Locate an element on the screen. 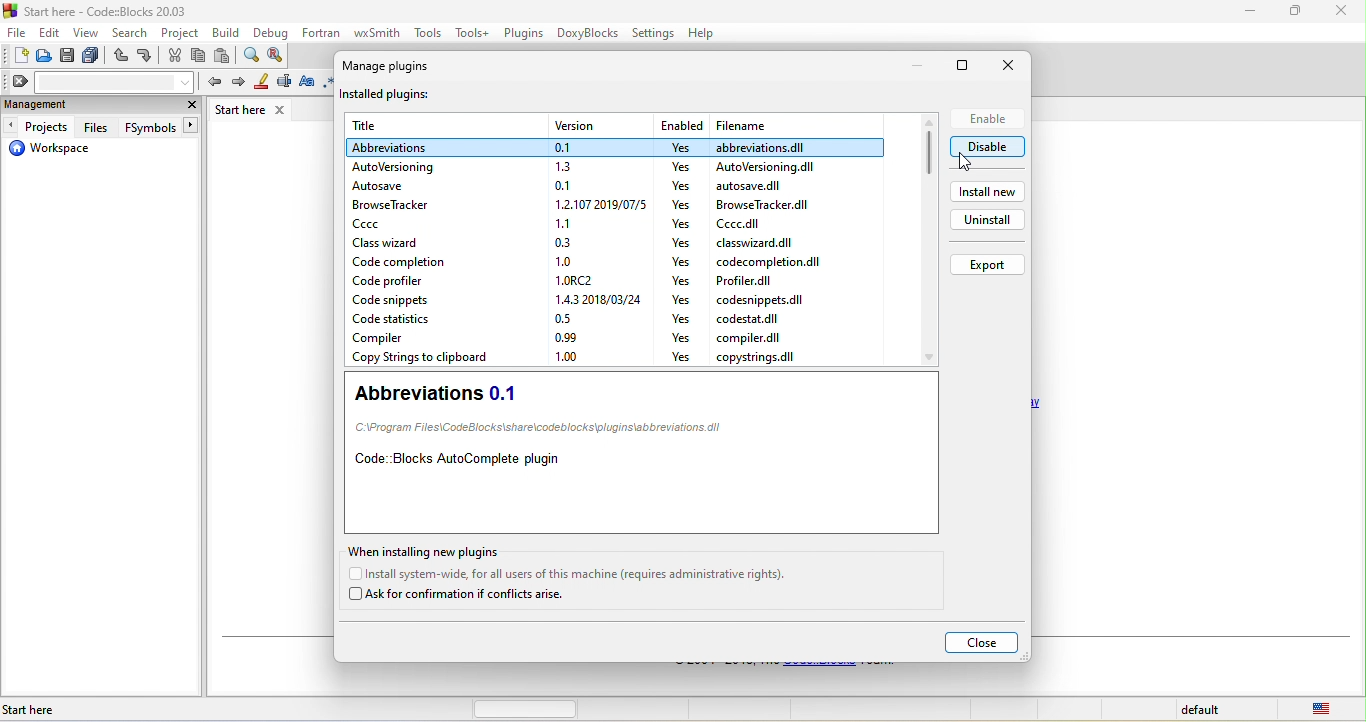 This screenshot has height=722, width=1366. export is located at coordinates (987, 264).